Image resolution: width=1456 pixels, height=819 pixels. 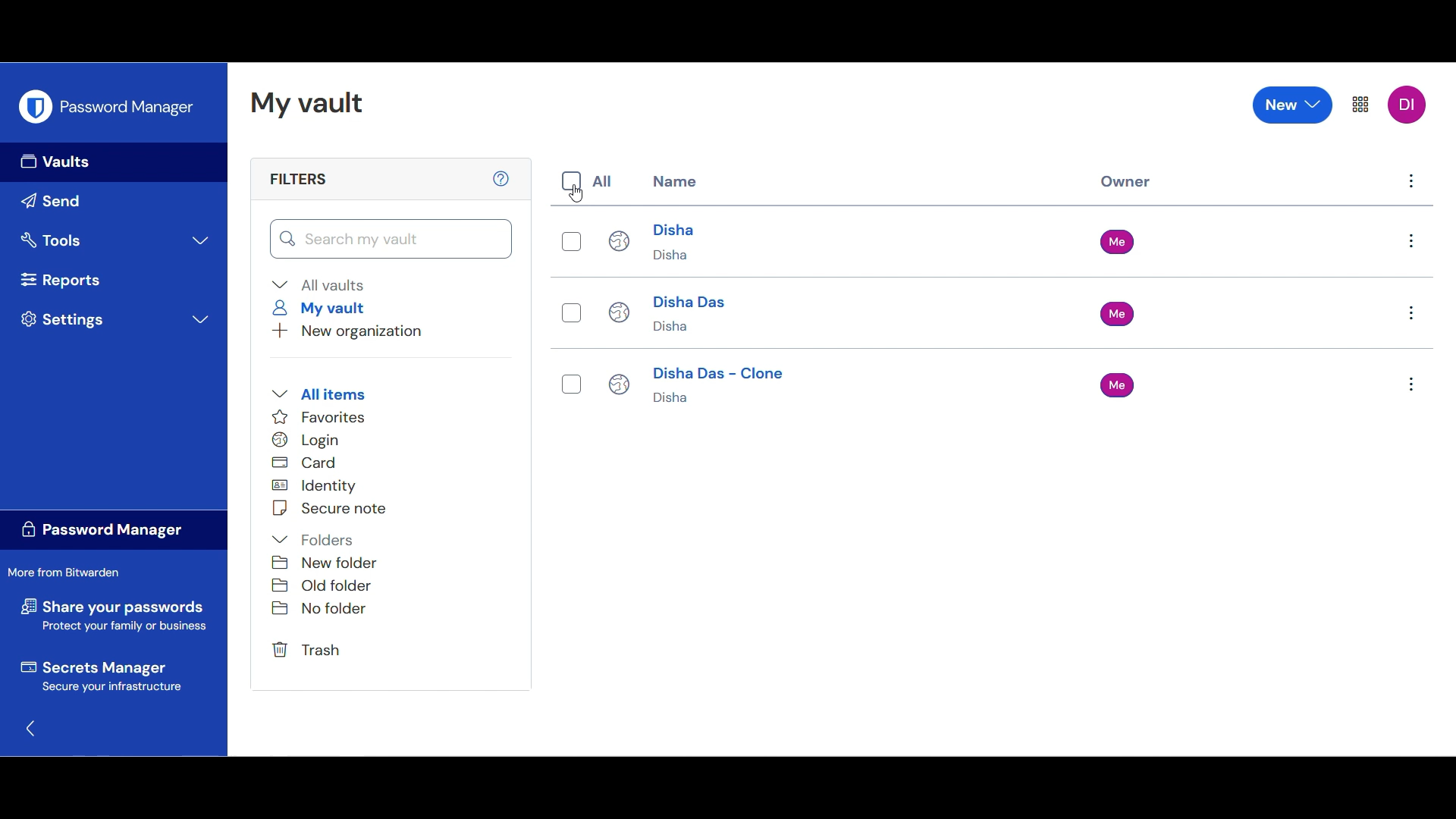 What do you see at coordinates (324, 585) in the screenshot?
I see `Old folder` at bounding box center [324, 585].